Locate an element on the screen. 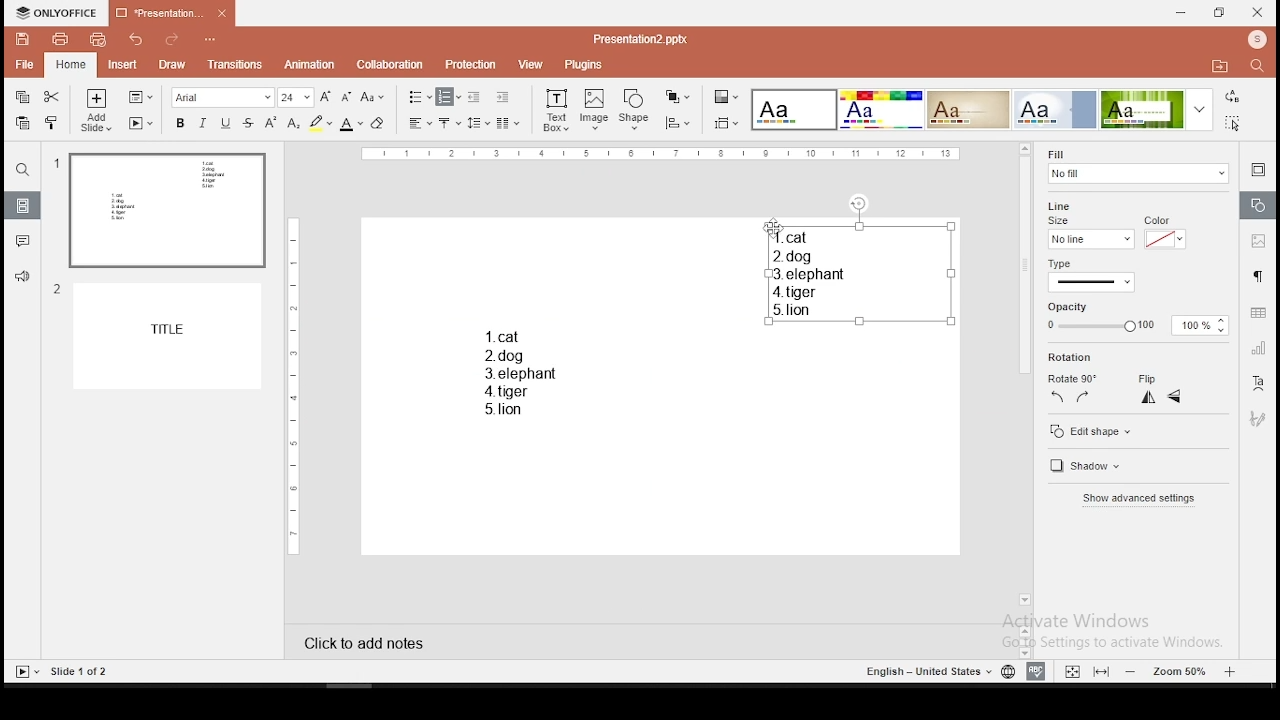 Image resolution: width=1280 pixels, height=720 pixels. change case is located at coordinates (372, 96).